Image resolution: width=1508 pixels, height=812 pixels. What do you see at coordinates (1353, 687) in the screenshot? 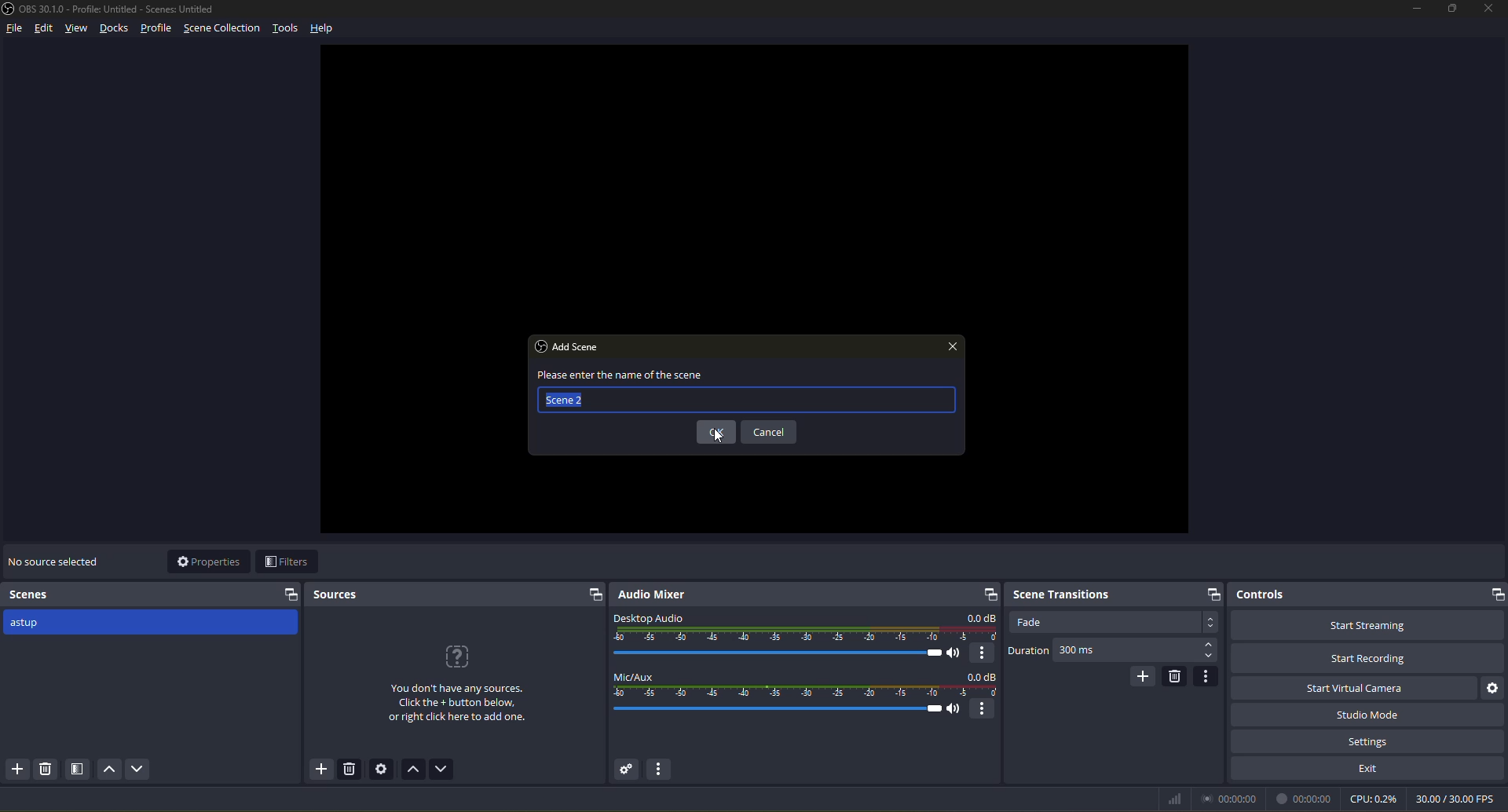
I see `start virtual camera` at bounding box center [1353, 687].